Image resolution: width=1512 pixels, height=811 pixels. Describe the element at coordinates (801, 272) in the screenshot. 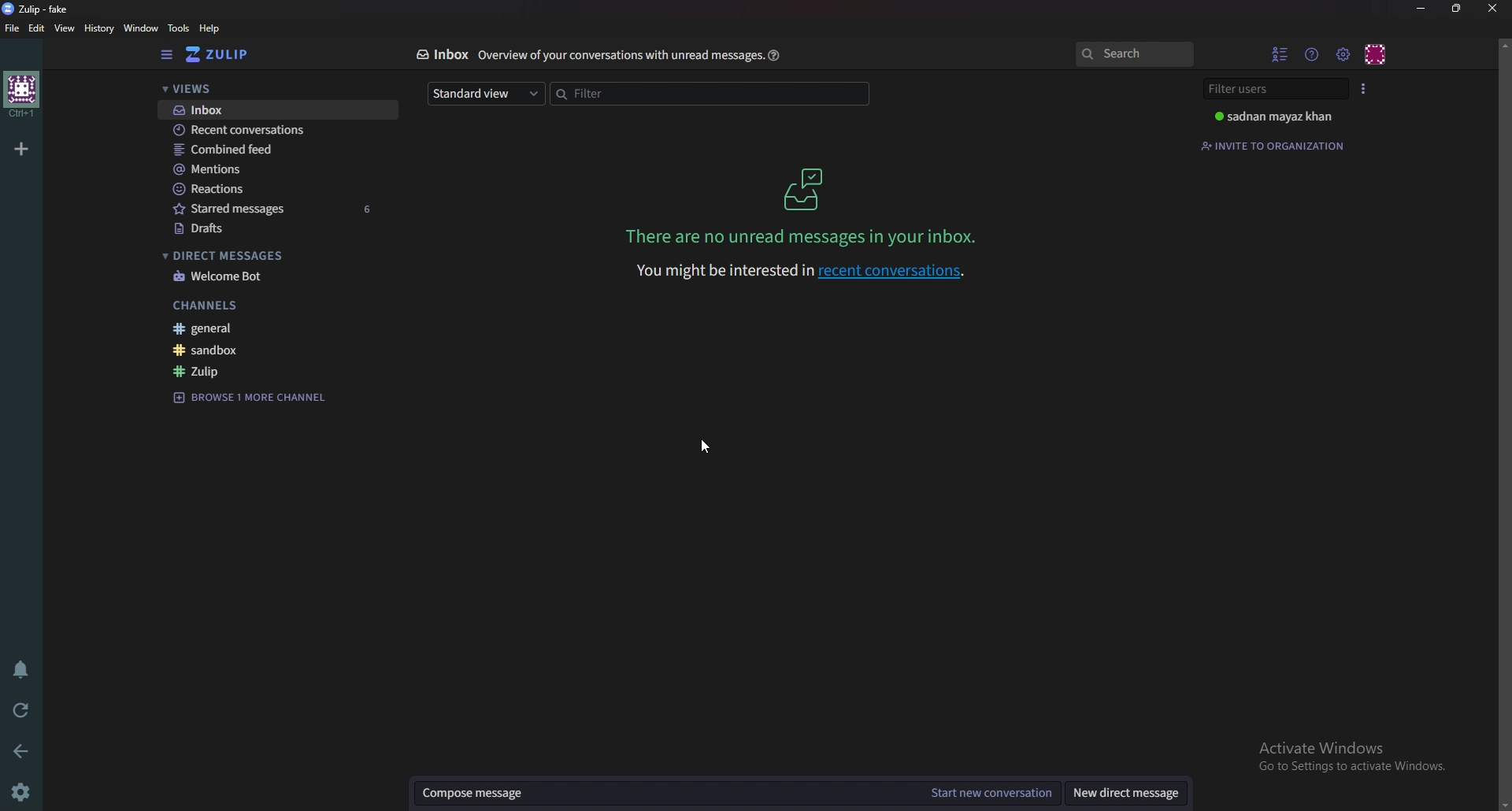

I see `You might be interested in recent conversations.` at that location.